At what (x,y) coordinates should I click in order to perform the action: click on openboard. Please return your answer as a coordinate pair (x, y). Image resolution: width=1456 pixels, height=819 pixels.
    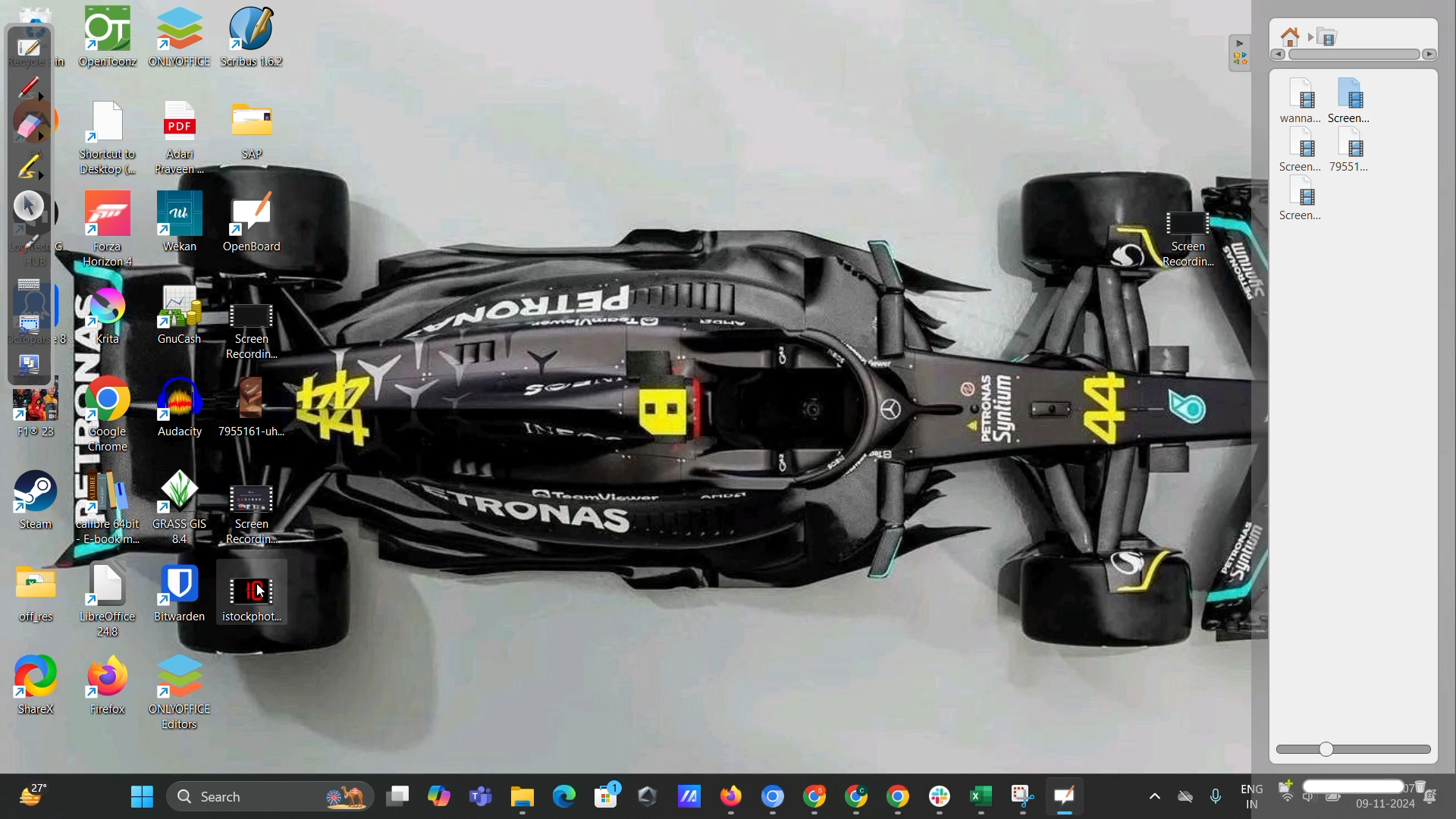
    Looking at the image, I should click on (1068, 797).